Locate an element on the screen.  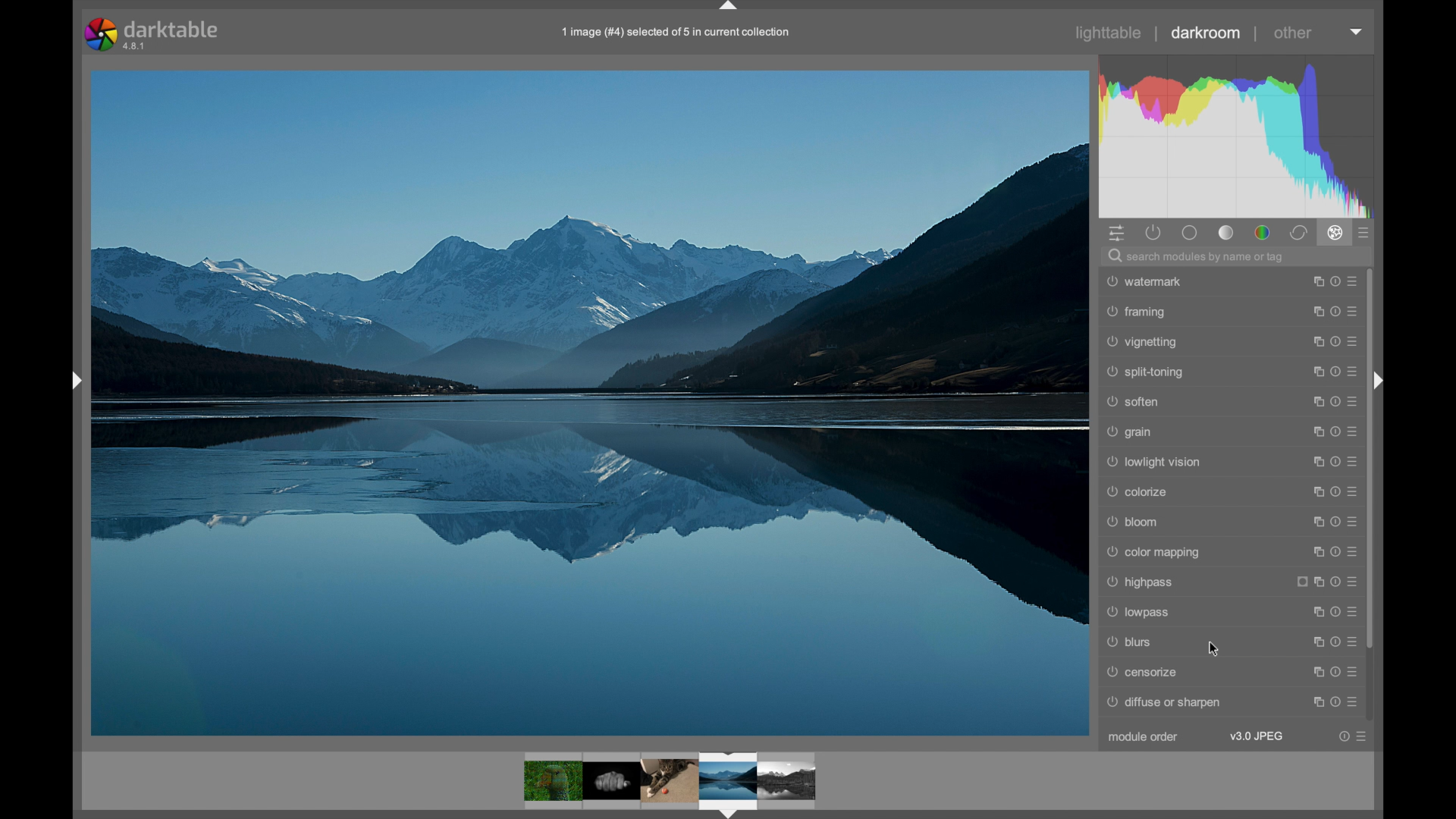
help is located at coordinates (1332, 491).